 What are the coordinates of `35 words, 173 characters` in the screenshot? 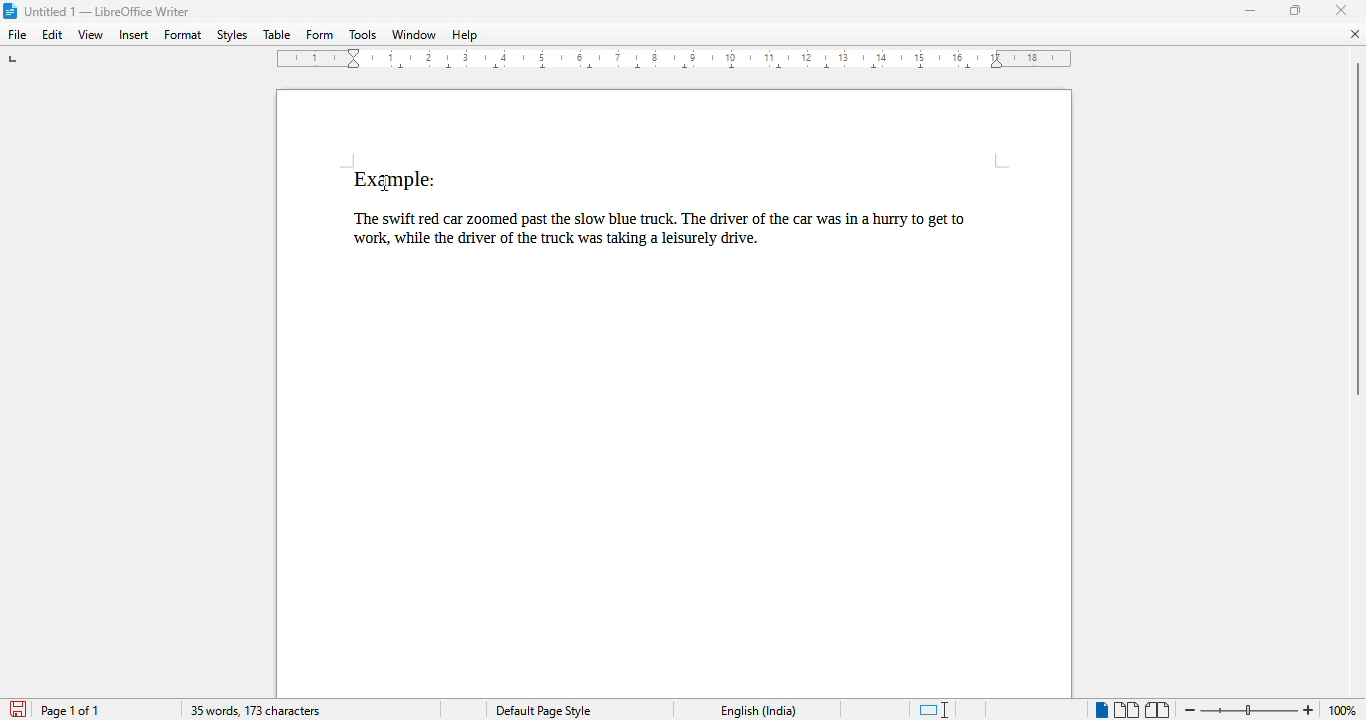 It's located at (255, 711).